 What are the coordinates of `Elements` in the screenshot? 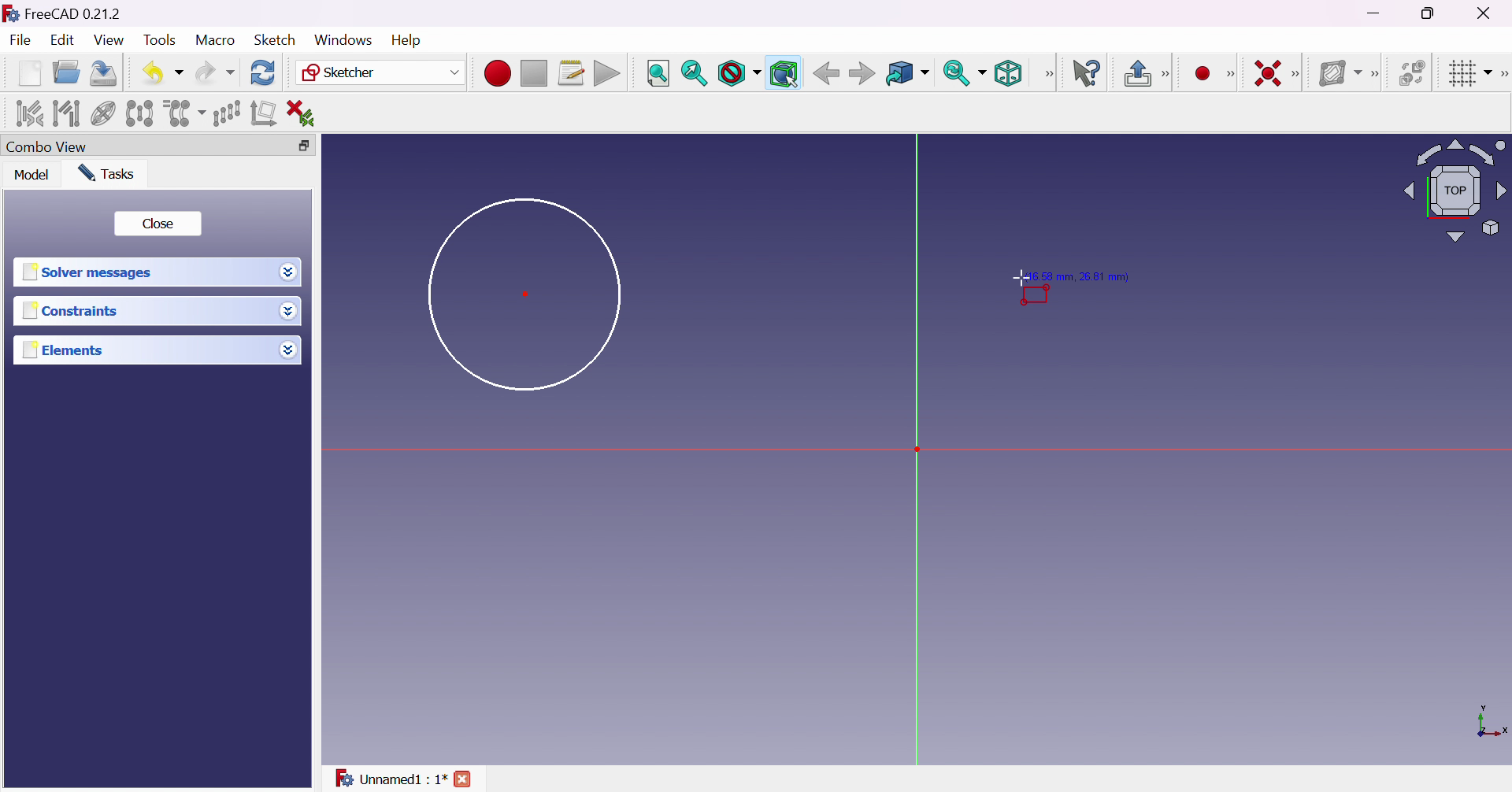 It's located at (65, 350).